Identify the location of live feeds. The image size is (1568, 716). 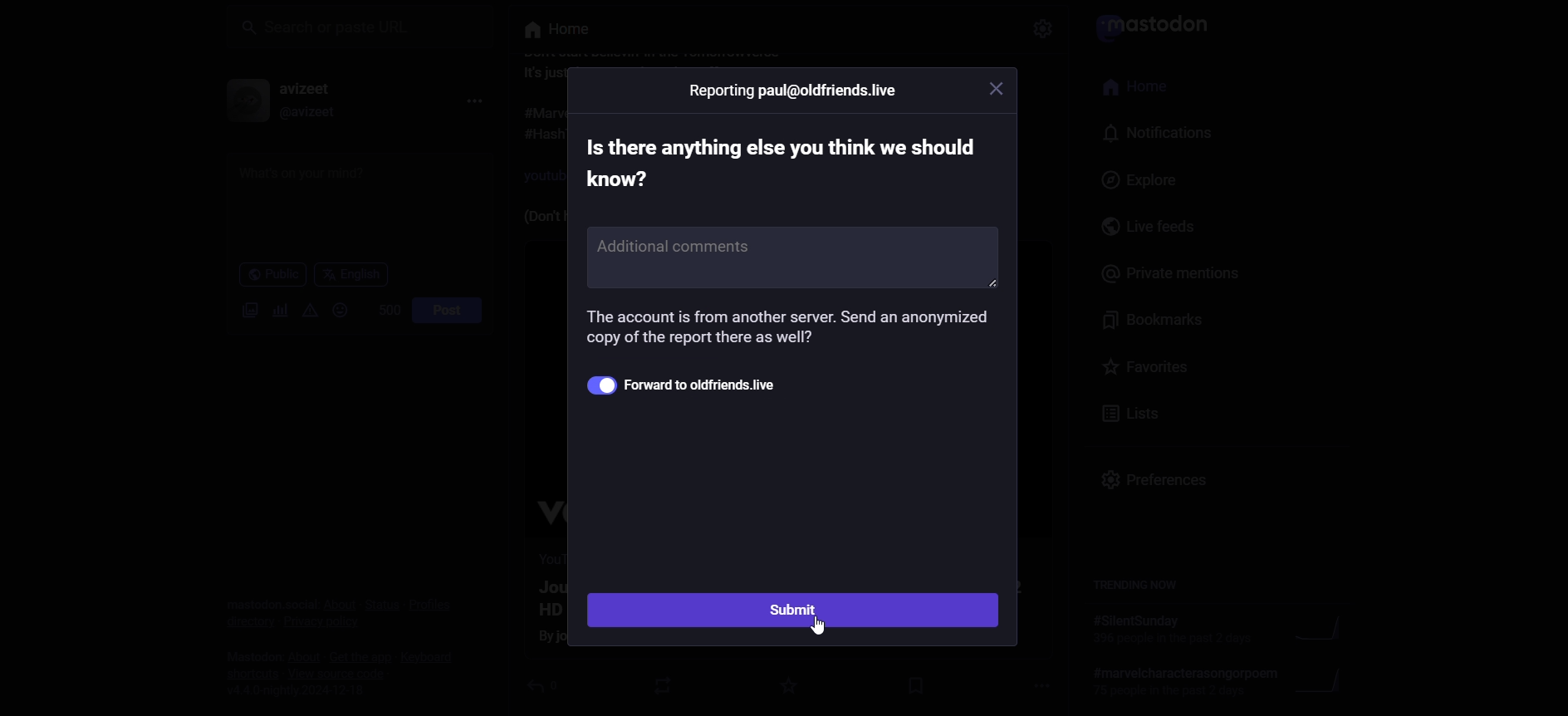
(1154, 228).